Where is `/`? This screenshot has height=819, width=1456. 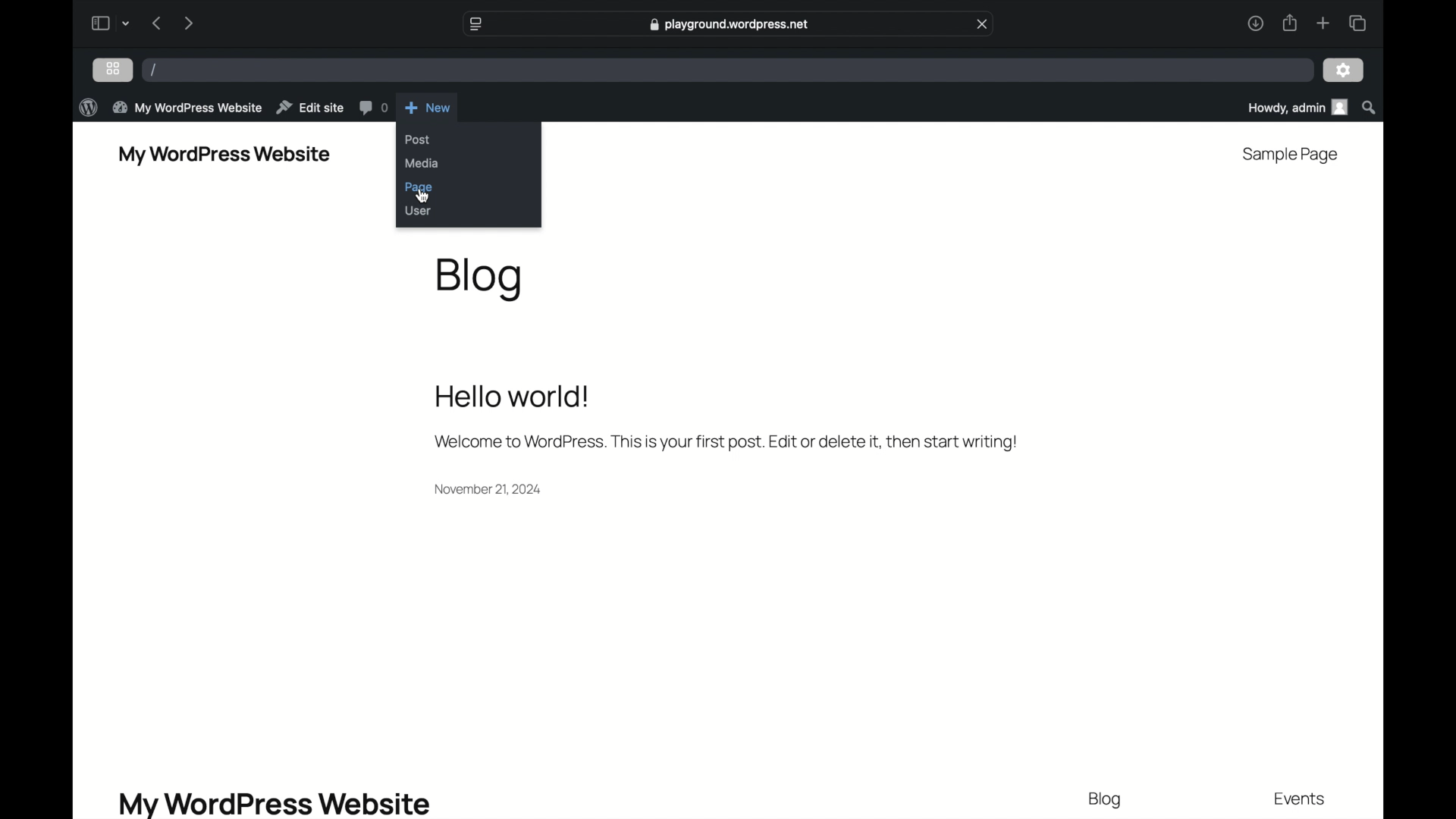 / is located at coordinates (155, 71).